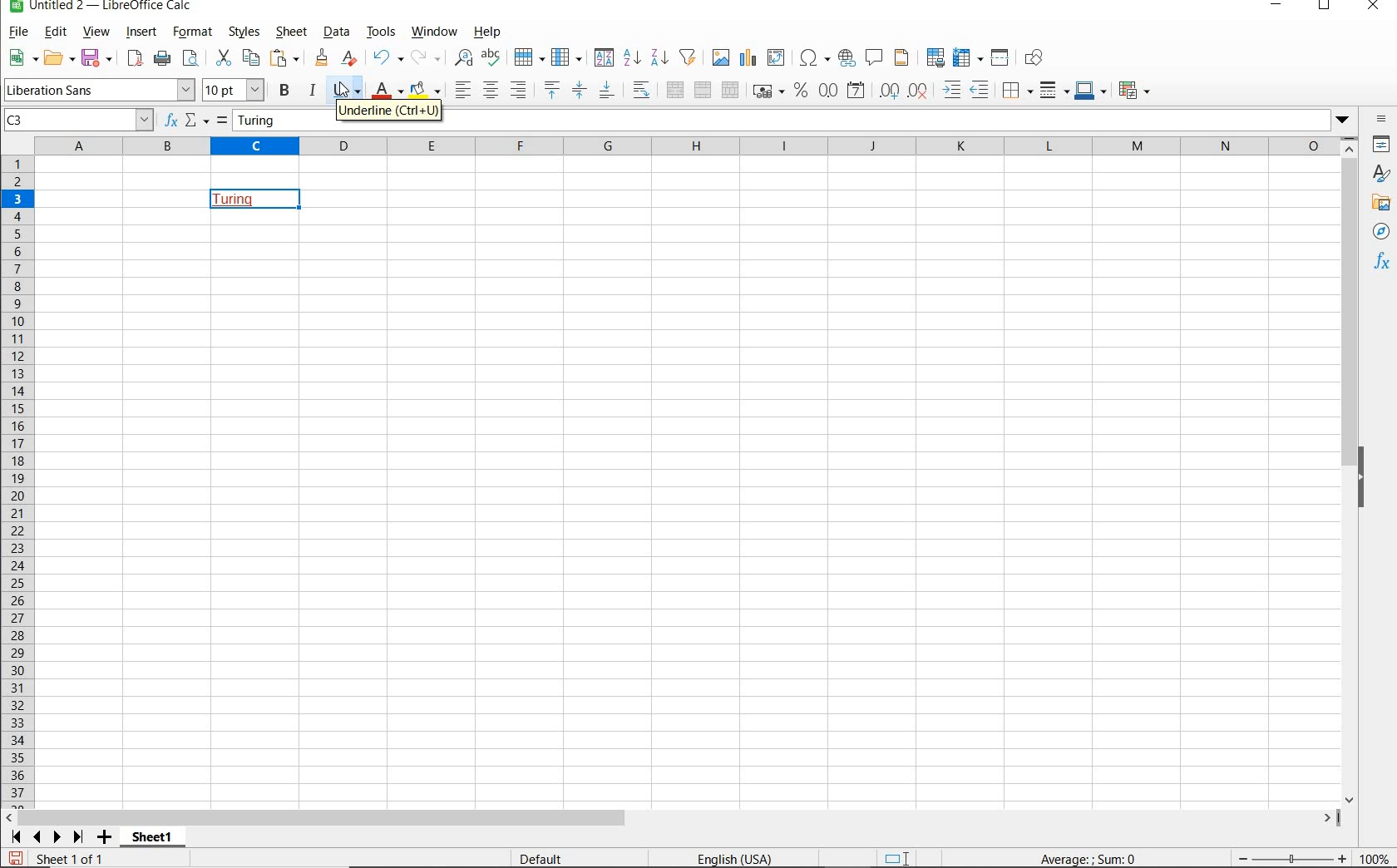  I want to click on FORMULA, so click(223, 121).